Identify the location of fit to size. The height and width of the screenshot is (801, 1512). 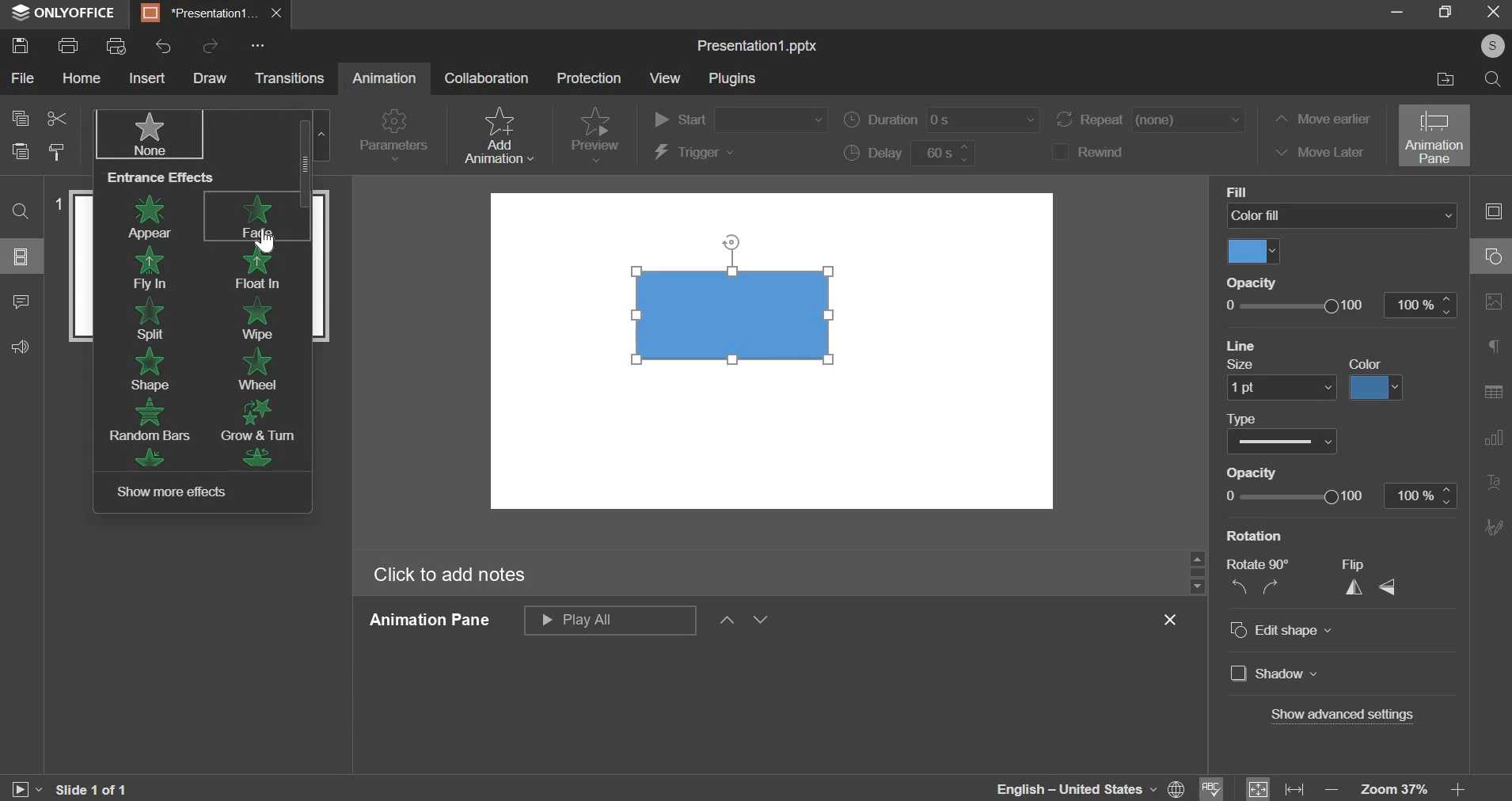
(1259, 788).